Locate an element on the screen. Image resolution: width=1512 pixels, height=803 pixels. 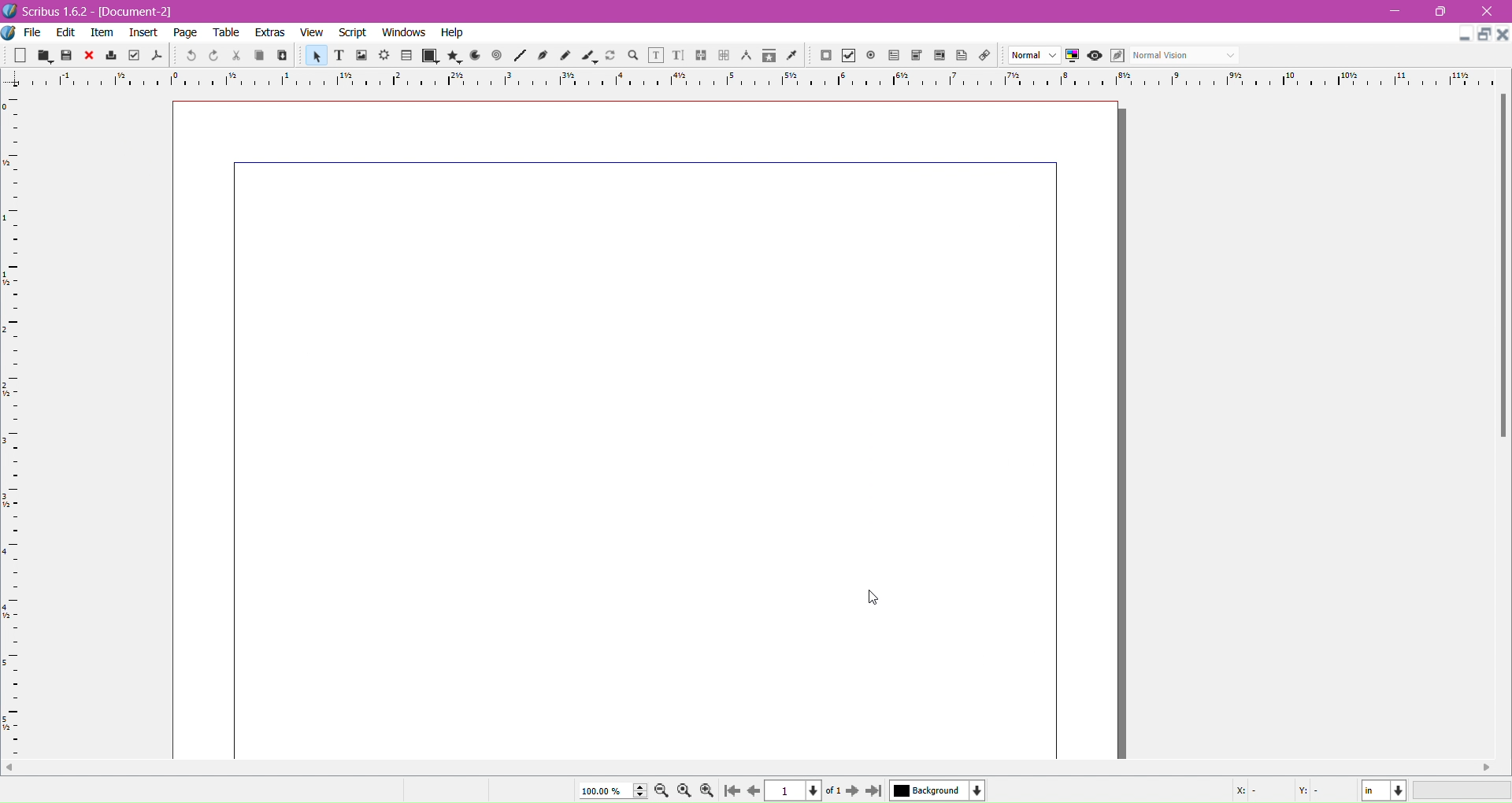
paste is located at coordinates (283, 57).